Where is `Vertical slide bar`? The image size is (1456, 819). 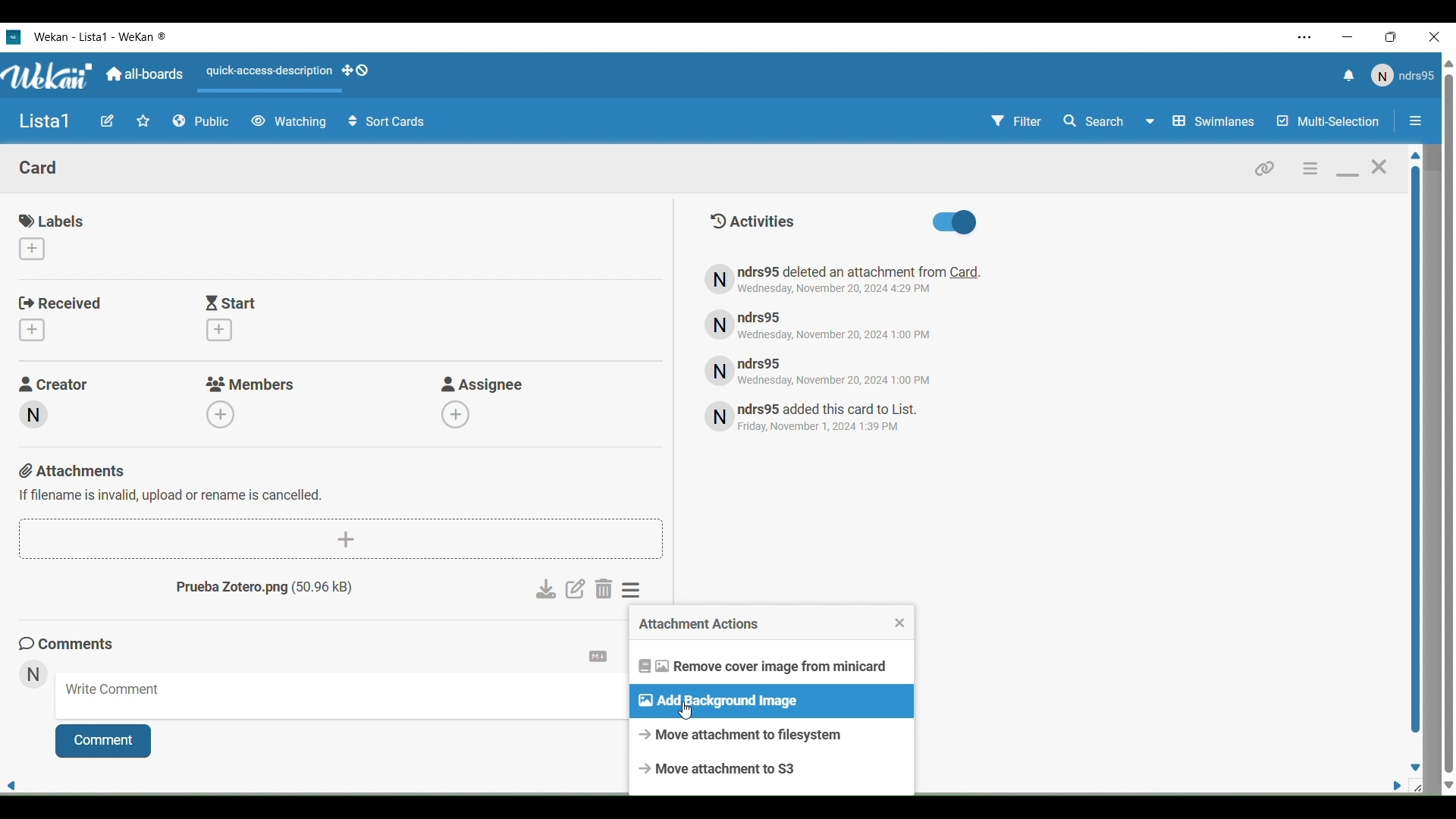 Vertical slide bar is located at coordinates (1414, 443).